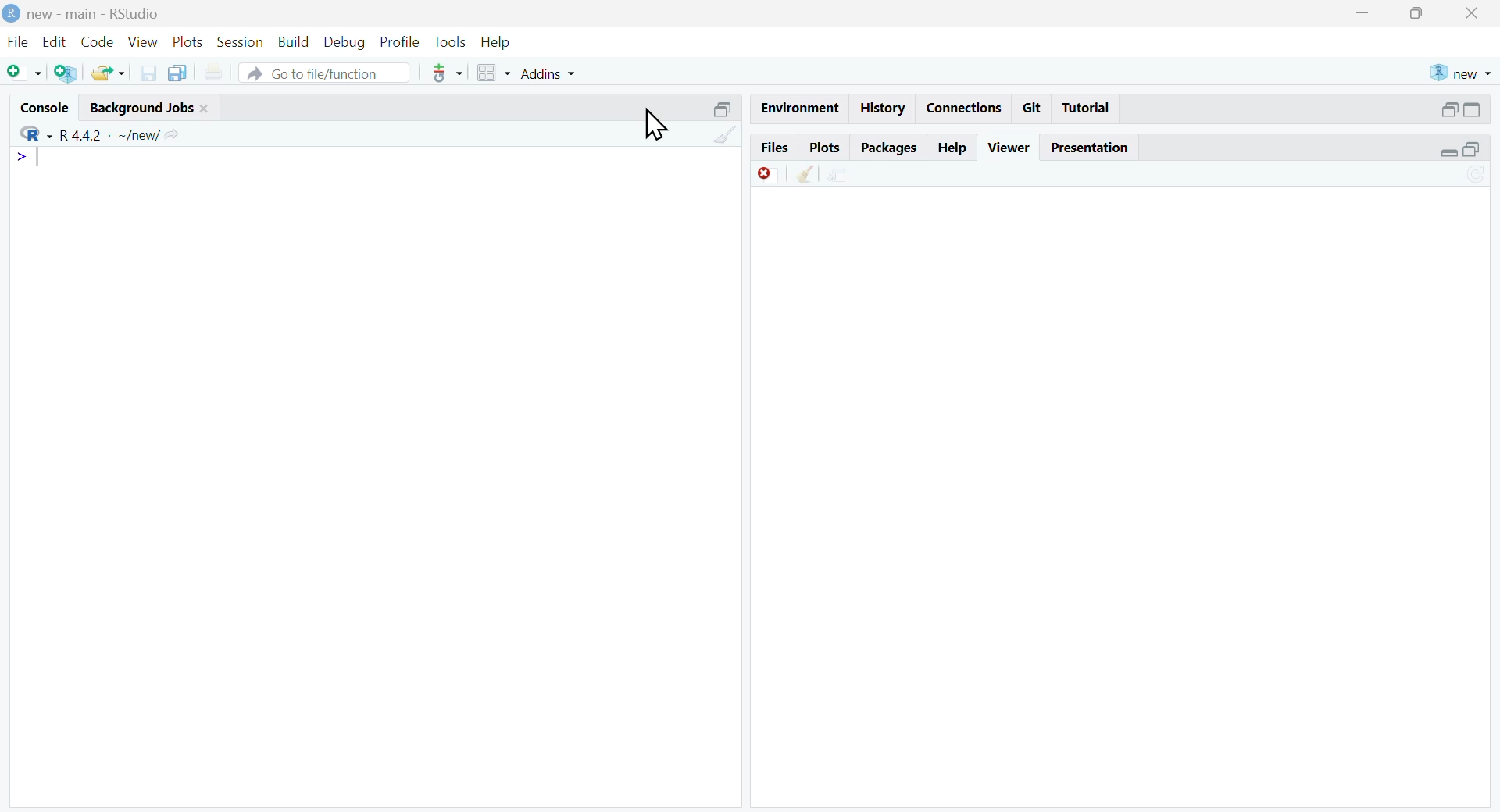  Describe the element at coordinates (452, 44) in the screenshot. I see `tools` at that location.